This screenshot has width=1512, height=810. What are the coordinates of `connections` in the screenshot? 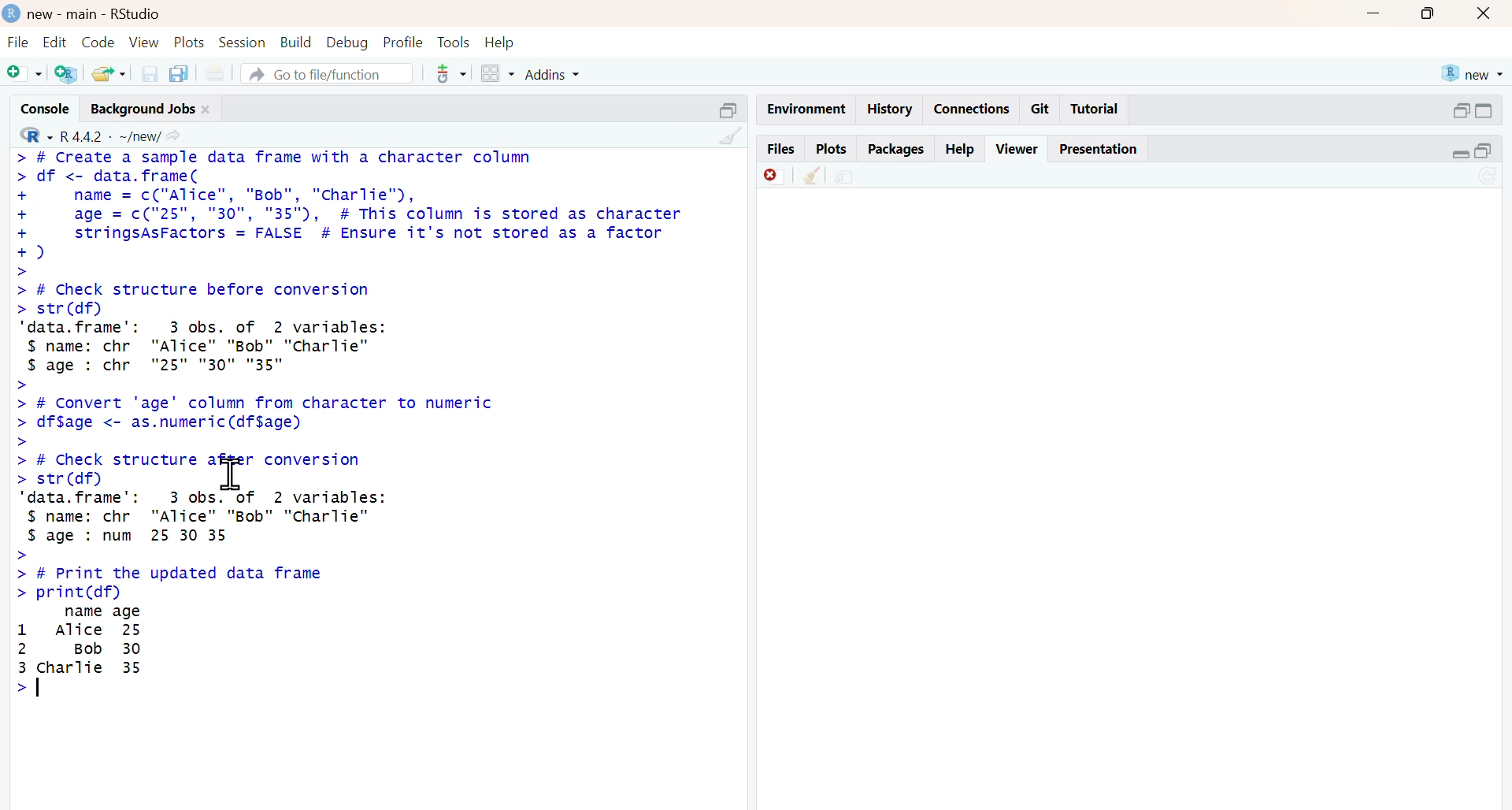 It's located at (973, 109).